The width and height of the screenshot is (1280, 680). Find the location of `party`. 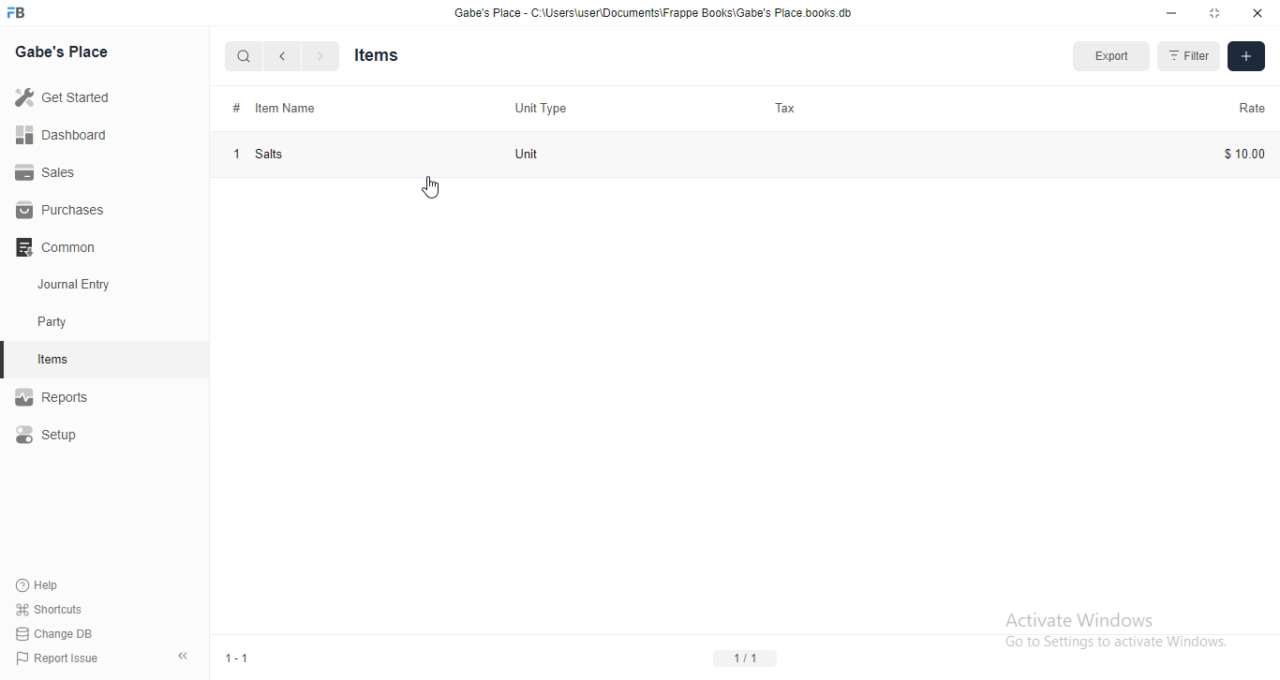

party is located at coordinates (56, 322).